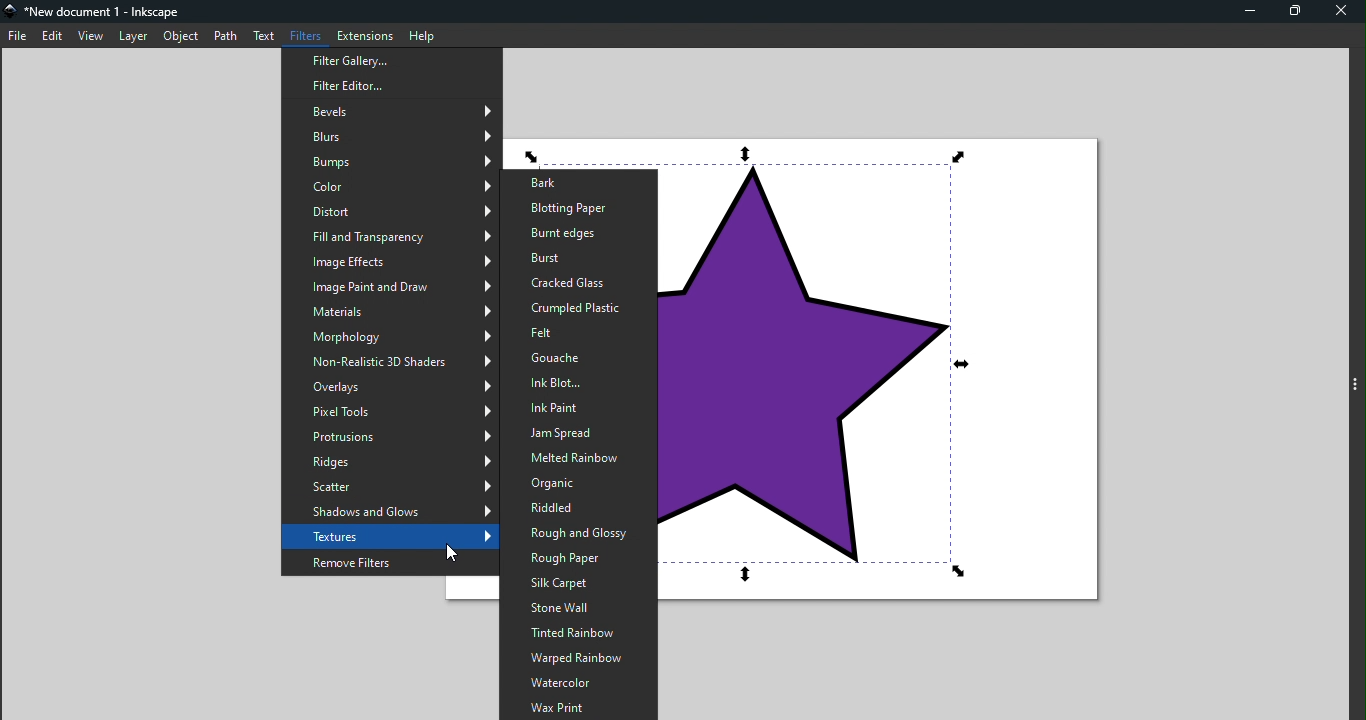 The width and height of the screenshot is (1366, 720). Describe the element at coordinates (183, 36) in the screenshot. I see `Object` at that location.